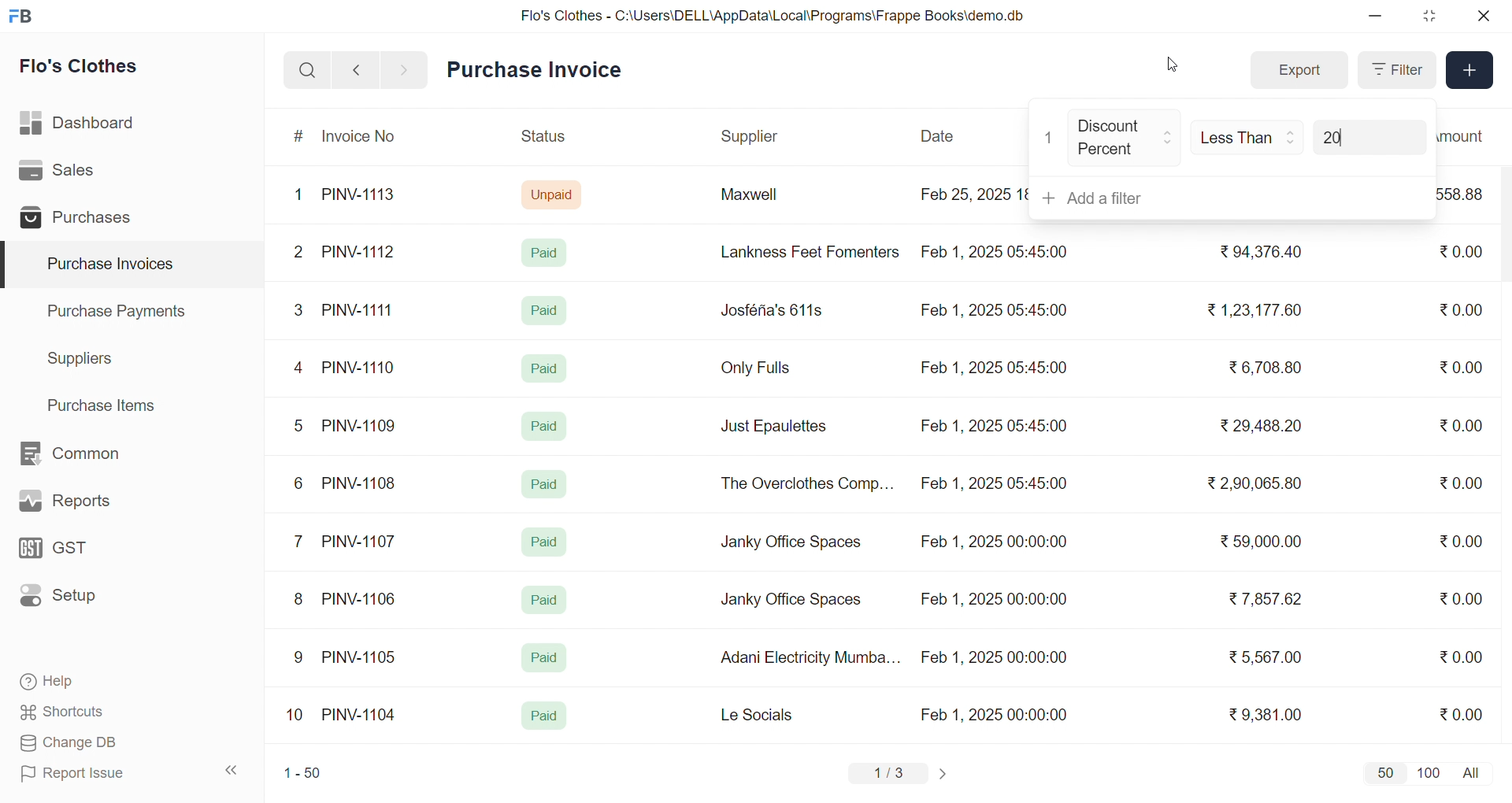 Image resolution: width=1512 pixels, height=803 pixels. I want to click on Feb 1, 2025 05:45:00, so click(996, 368).